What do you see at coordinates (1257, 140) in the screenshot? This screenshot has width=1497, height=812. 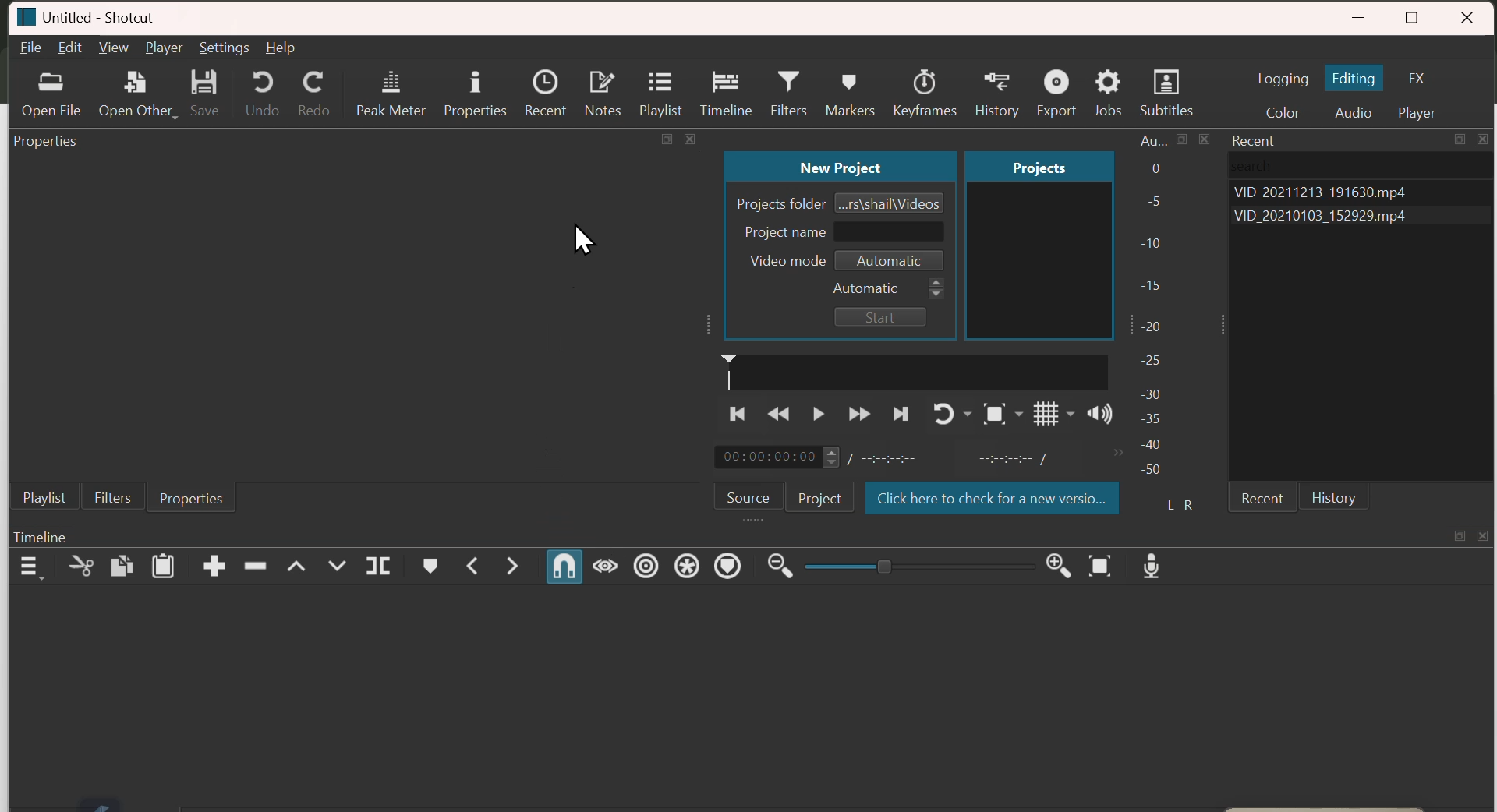 I see `Recent bar` at bounding box center [1257, 140].